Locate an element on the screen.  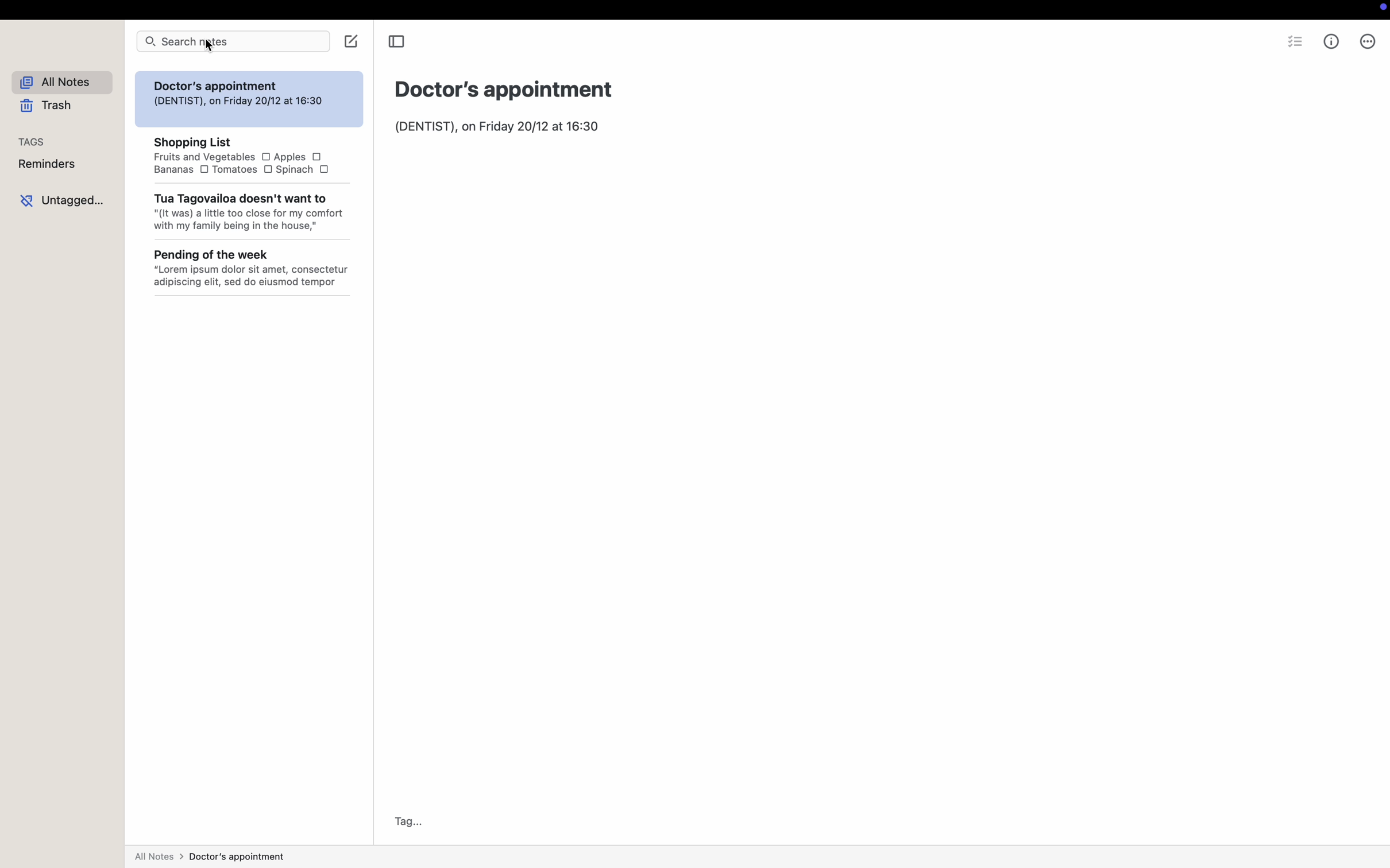
tags is located at coordinates (33, 142).